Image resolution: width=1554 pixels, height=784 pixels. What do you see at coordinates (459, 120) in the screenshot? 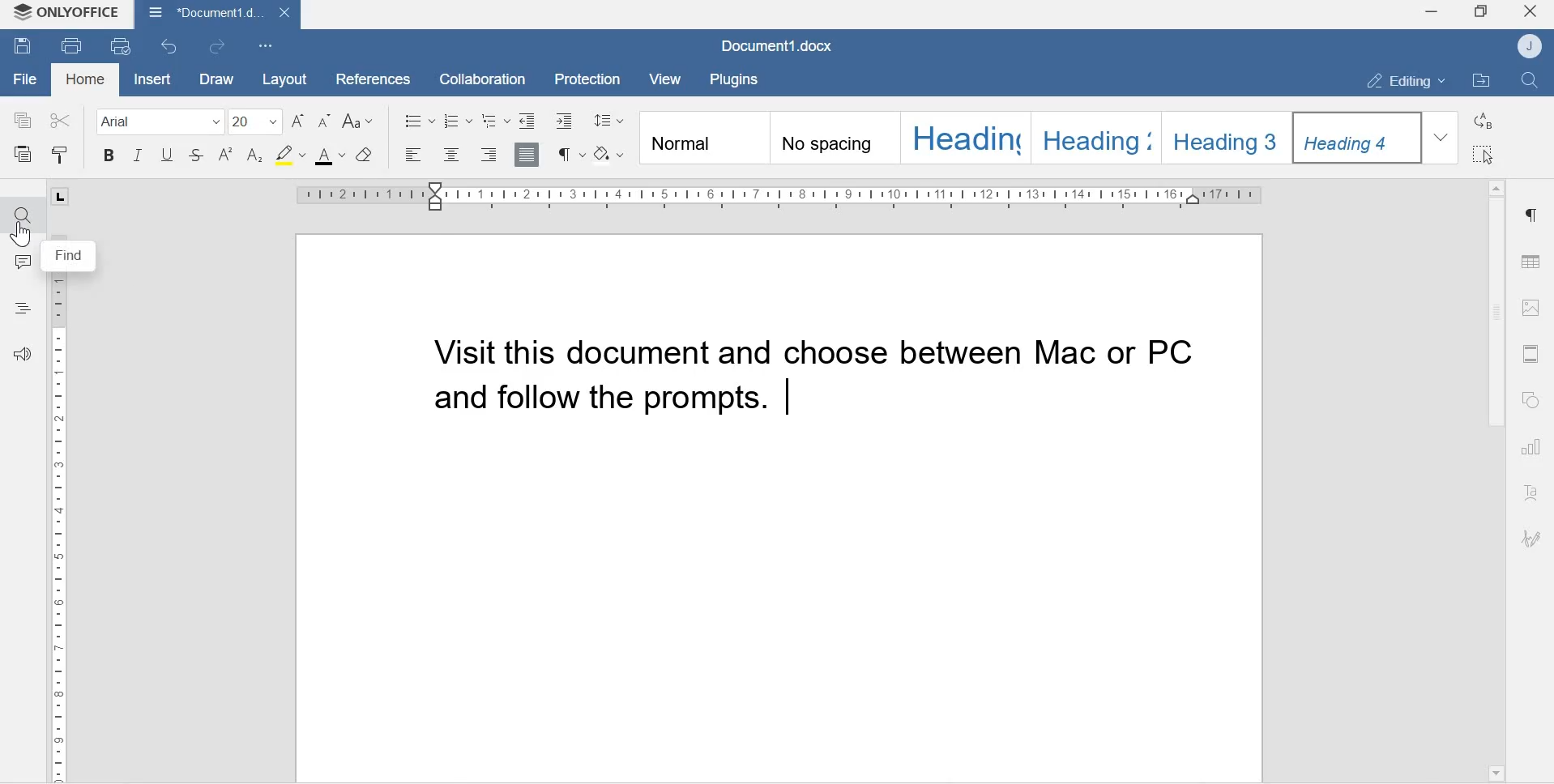
I see `Numbering` at bounding box center [459, 120].